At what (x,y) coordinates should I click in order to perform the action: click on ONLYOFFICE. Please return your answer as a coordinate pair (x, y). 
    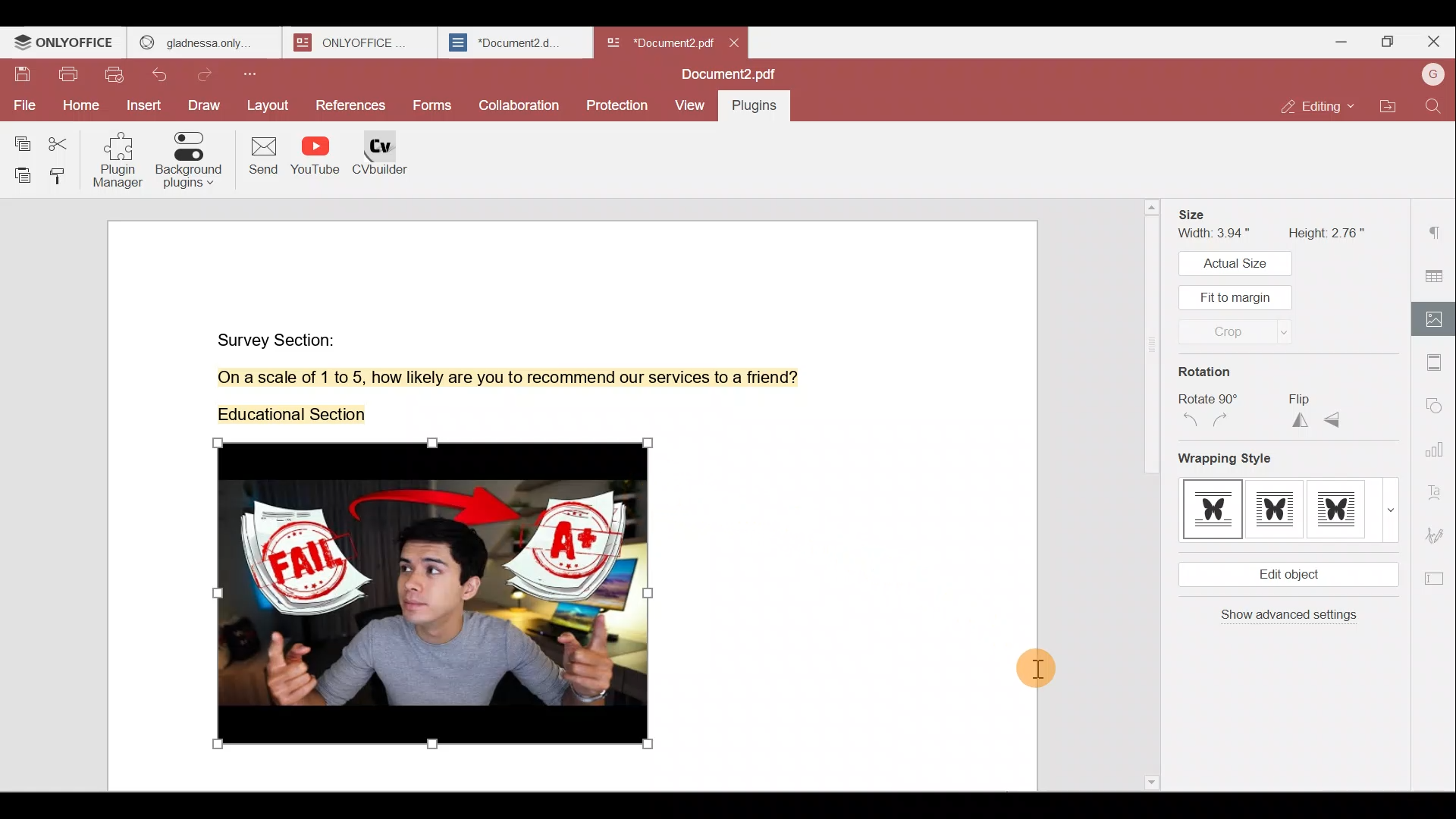
    Looking at the image, I should click on (362, 42).